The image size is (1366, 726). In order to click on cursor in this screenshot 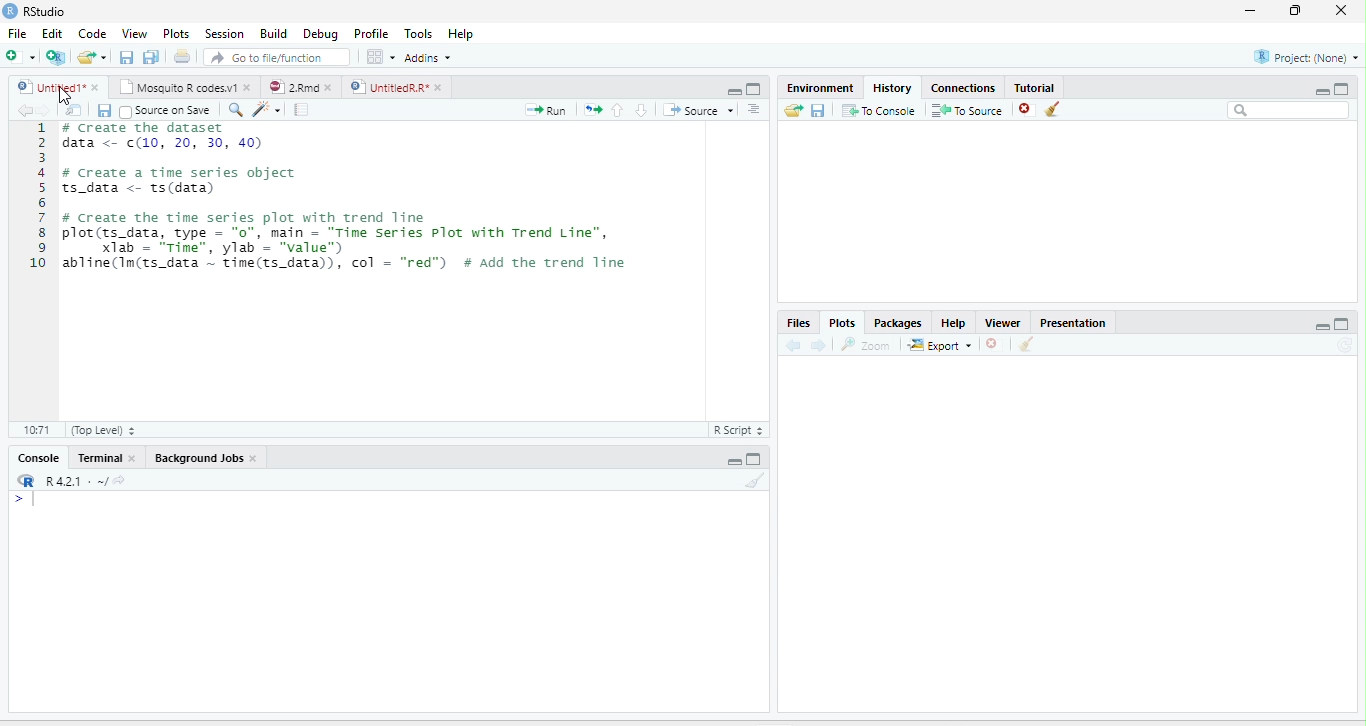, I will do `click(64, 95)`.